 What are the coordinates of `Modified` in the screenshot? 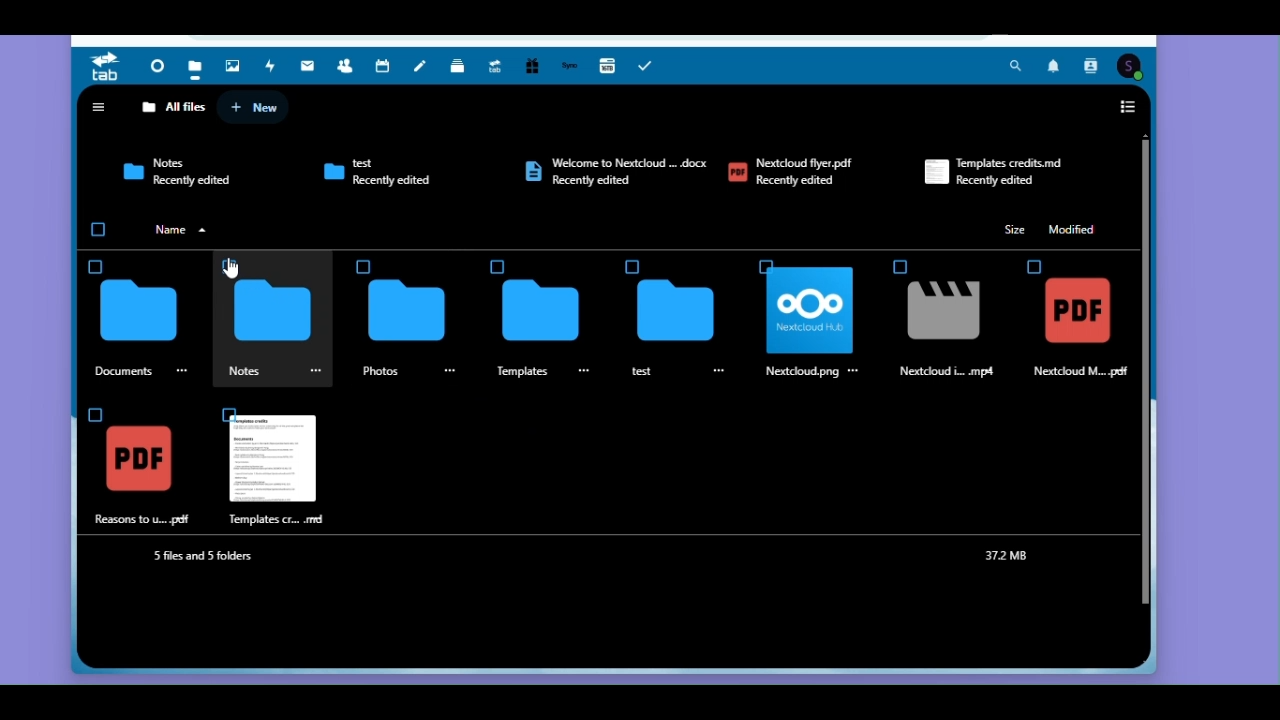 It's located at (1072, 228).